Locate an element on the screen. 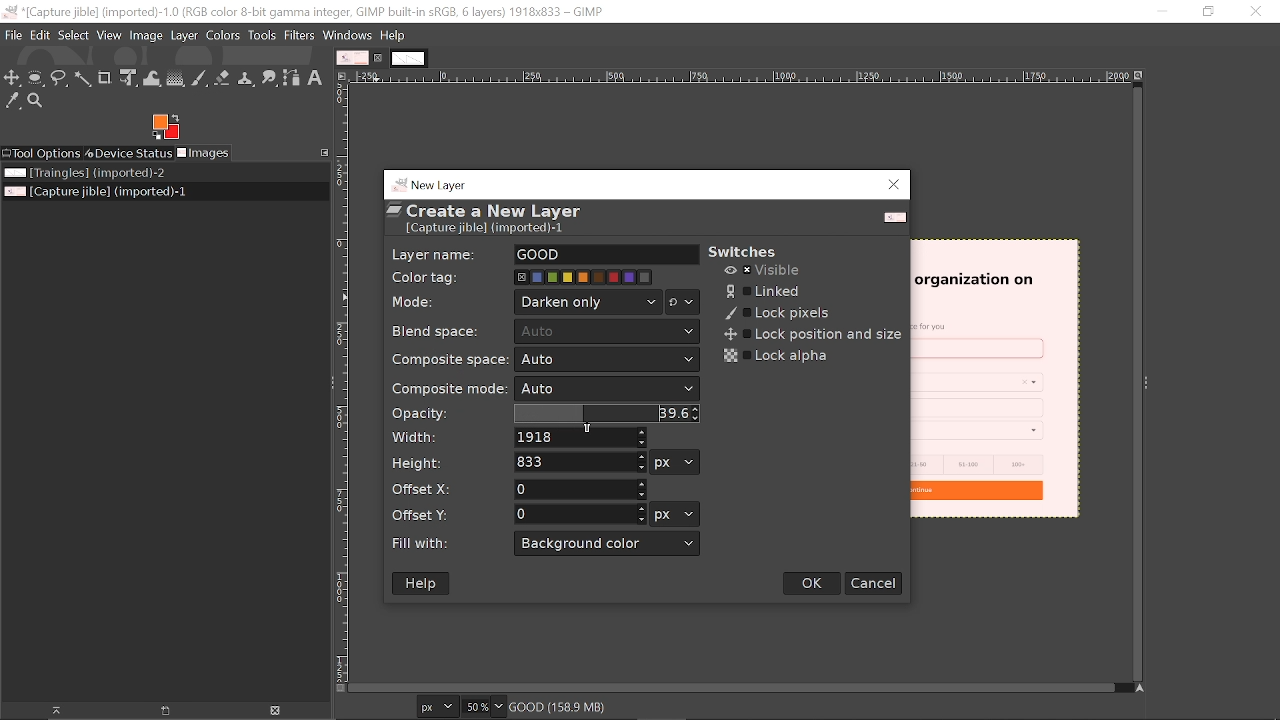  Offset Y: is located at coordinates (430, 513).